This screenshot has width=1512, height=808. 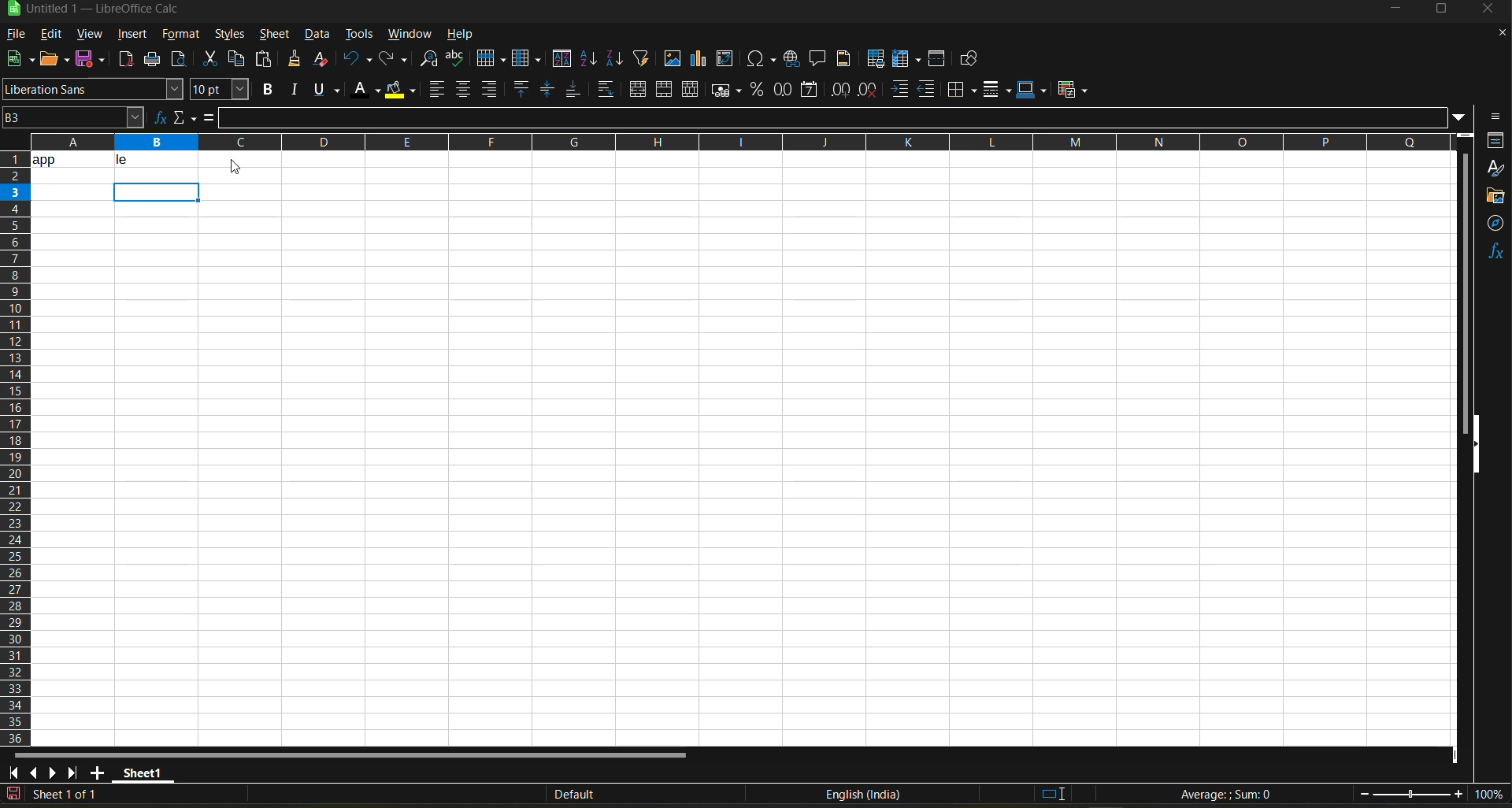 What do you see at coordinates (14, 770) in the screenshot?
I see `scroll to first sheet` at bounding box center [14, 770].